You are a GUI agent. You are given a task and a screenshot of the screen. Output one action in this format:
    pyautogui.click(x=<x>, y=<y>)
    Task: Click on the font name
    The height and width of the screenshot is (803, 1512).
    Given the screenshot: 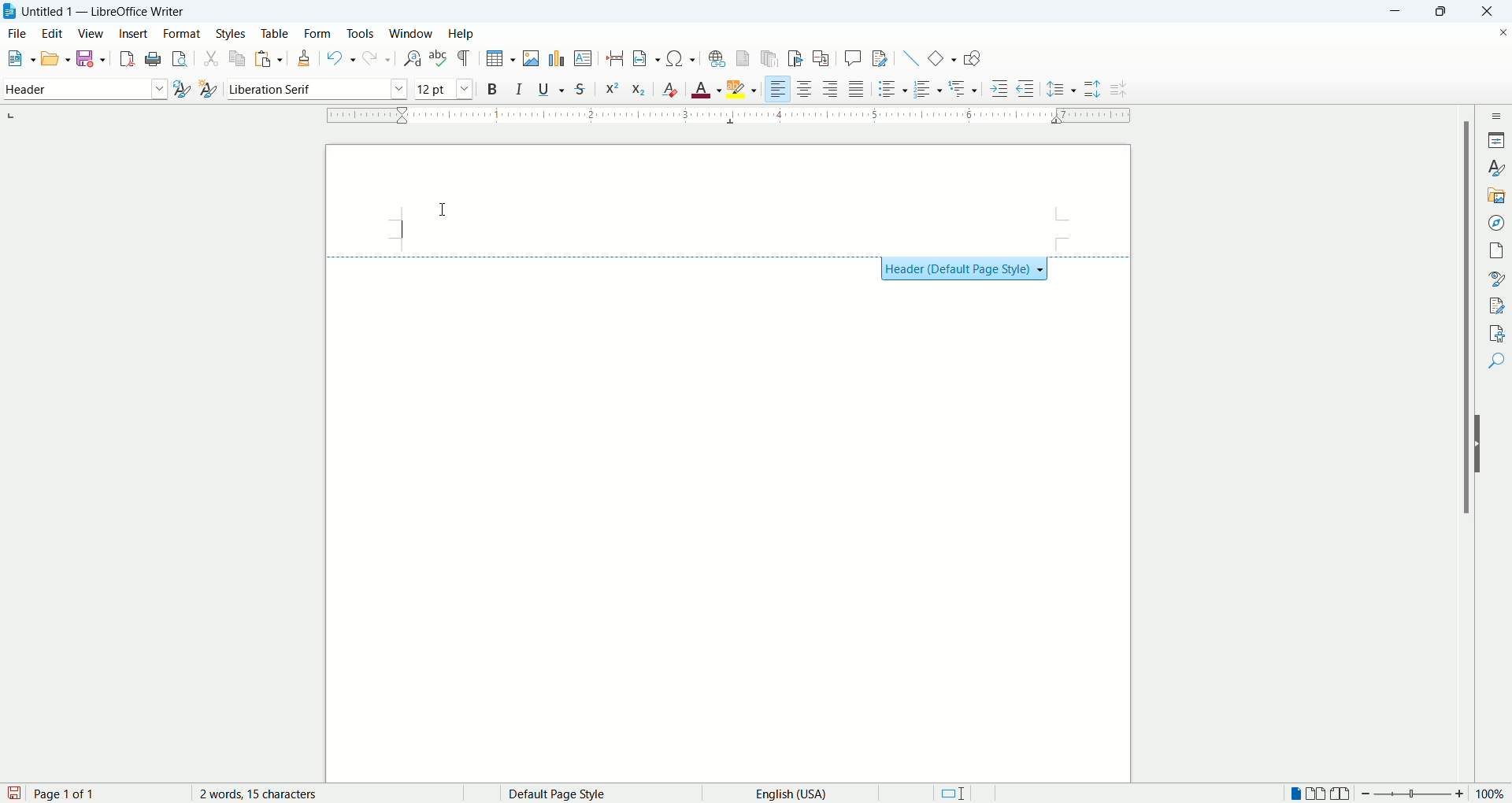 What is the action you would take?
    pyautogui.click(x=317, y=90)
    